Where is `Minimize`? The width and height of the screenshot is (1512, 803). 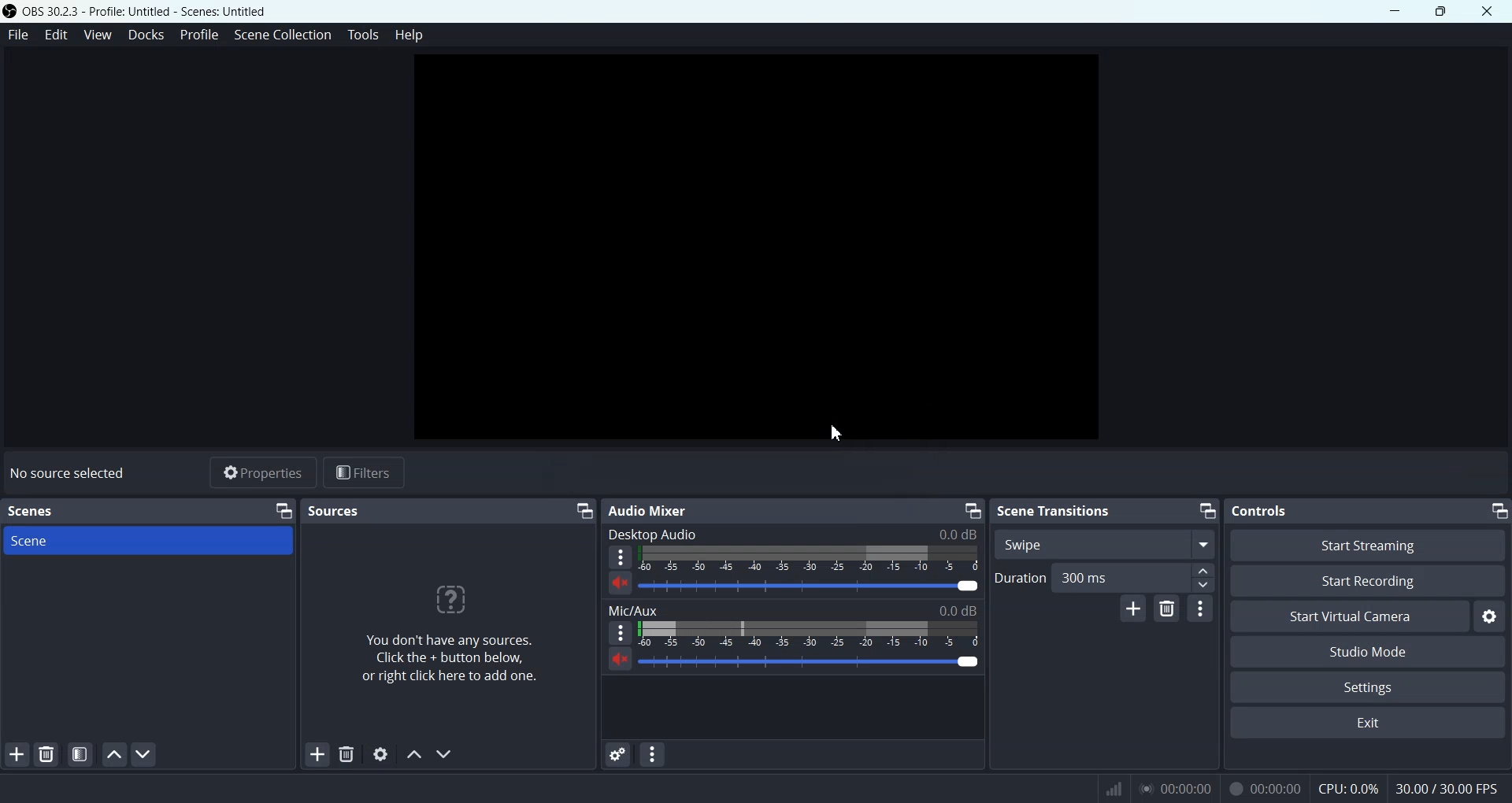
Minimize is located at coordinates (283, 510).